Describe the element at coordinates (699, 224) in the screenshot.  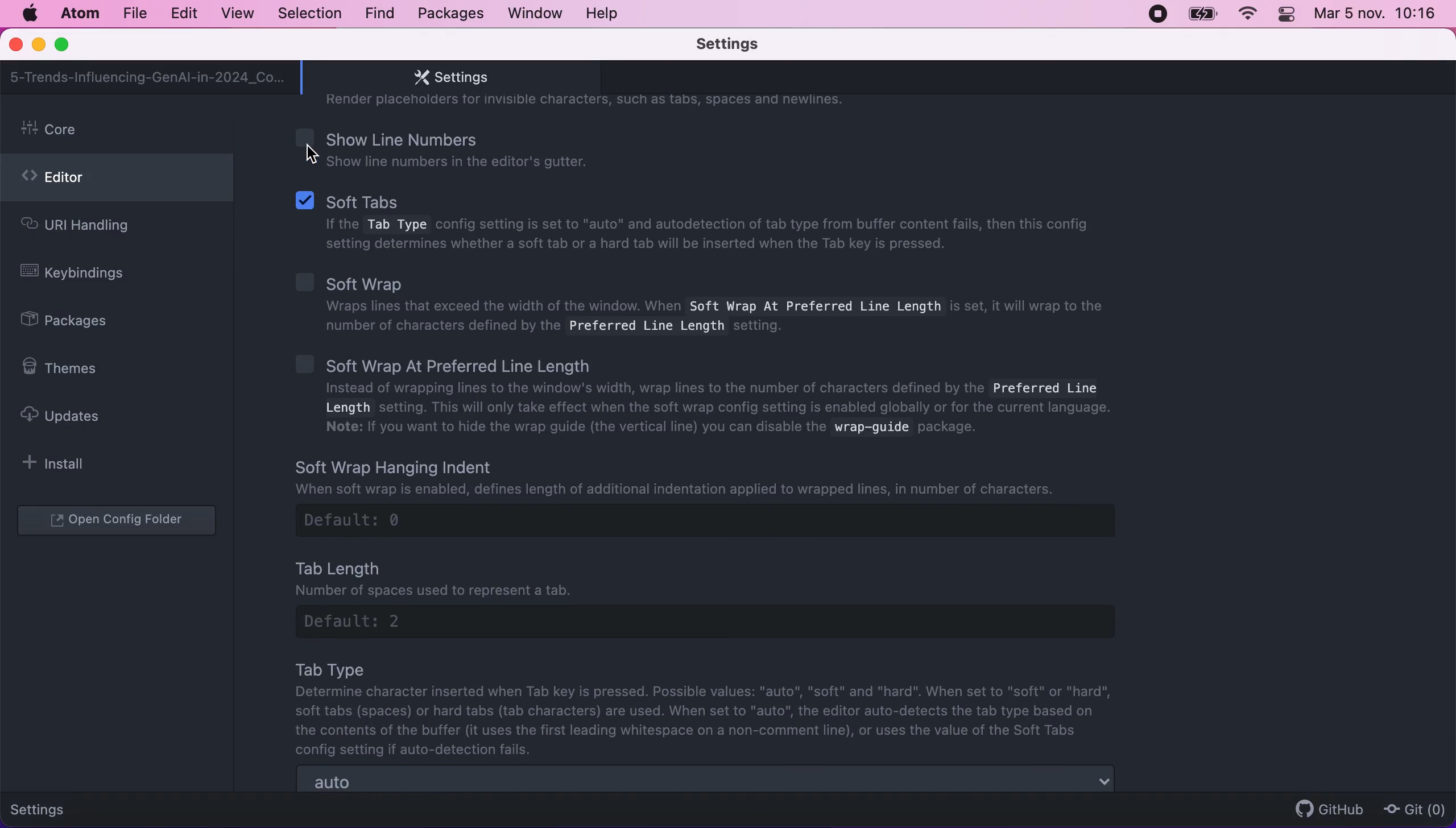
I see `soft tabs` at that location.